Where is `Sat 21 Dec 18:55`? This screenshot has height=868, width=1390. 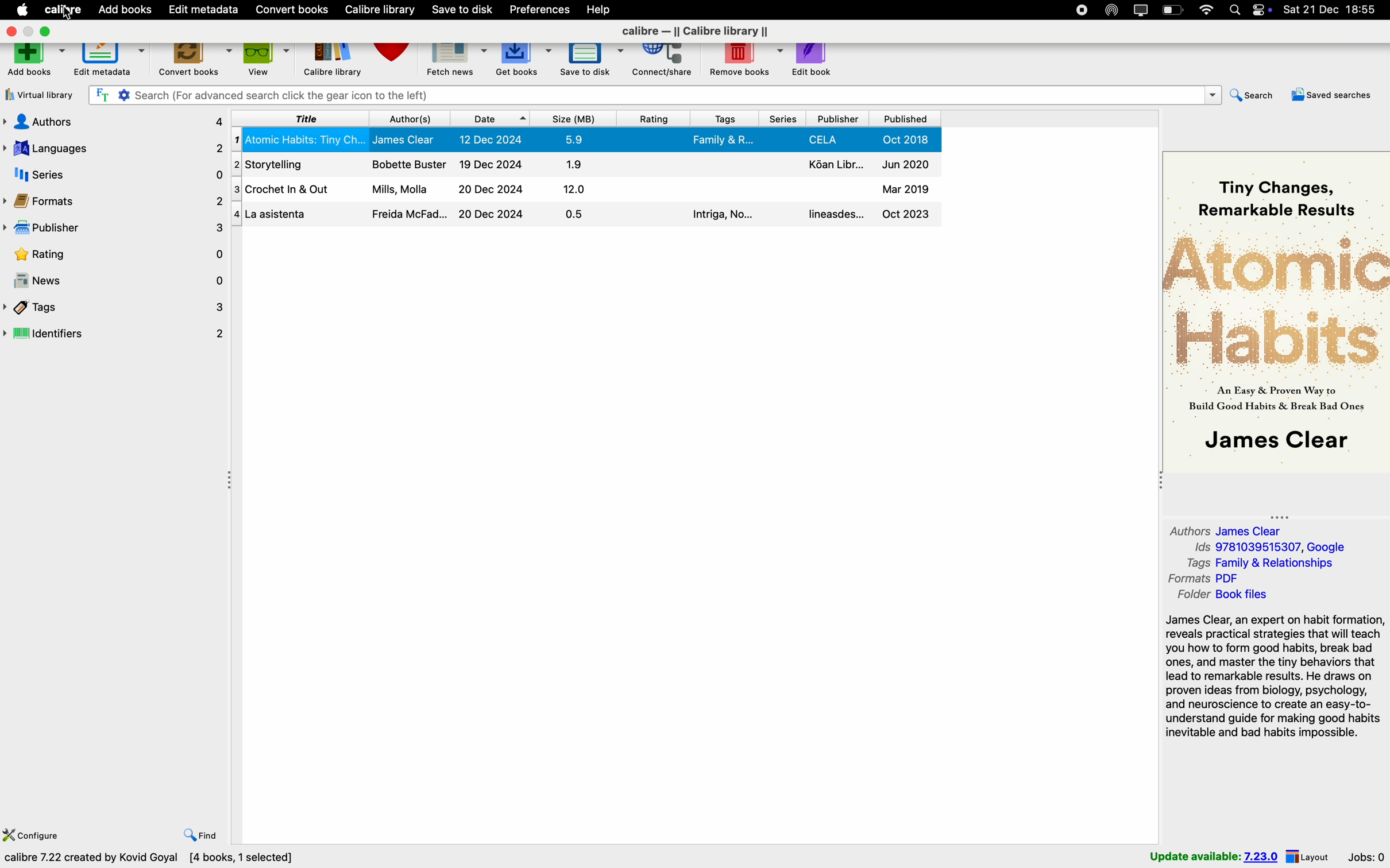 Sat 21 Dec 18:55 is located at coordinates (1334, 10).